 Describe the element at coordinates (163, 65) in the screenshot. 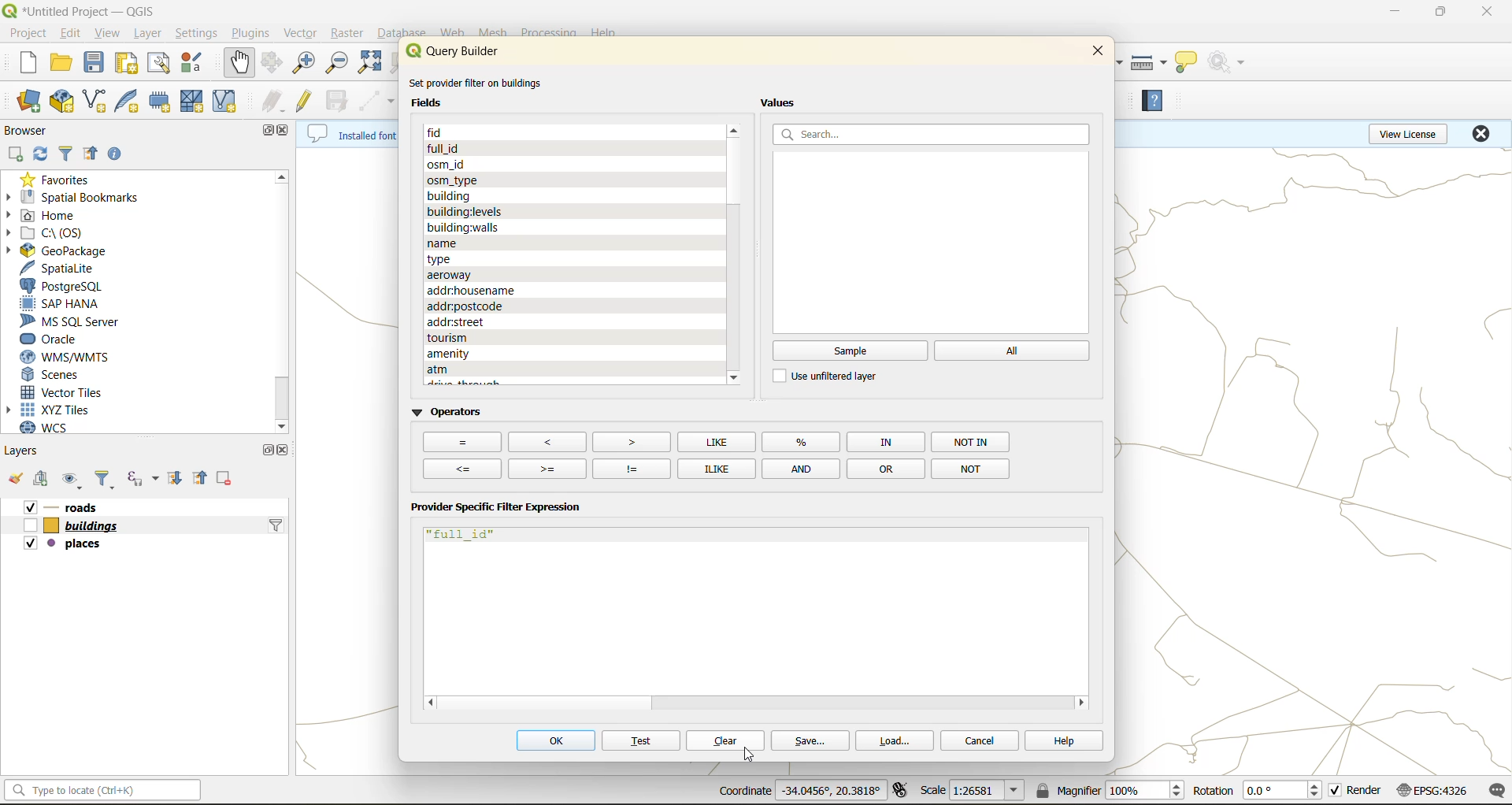

I see `show layout` at that location.